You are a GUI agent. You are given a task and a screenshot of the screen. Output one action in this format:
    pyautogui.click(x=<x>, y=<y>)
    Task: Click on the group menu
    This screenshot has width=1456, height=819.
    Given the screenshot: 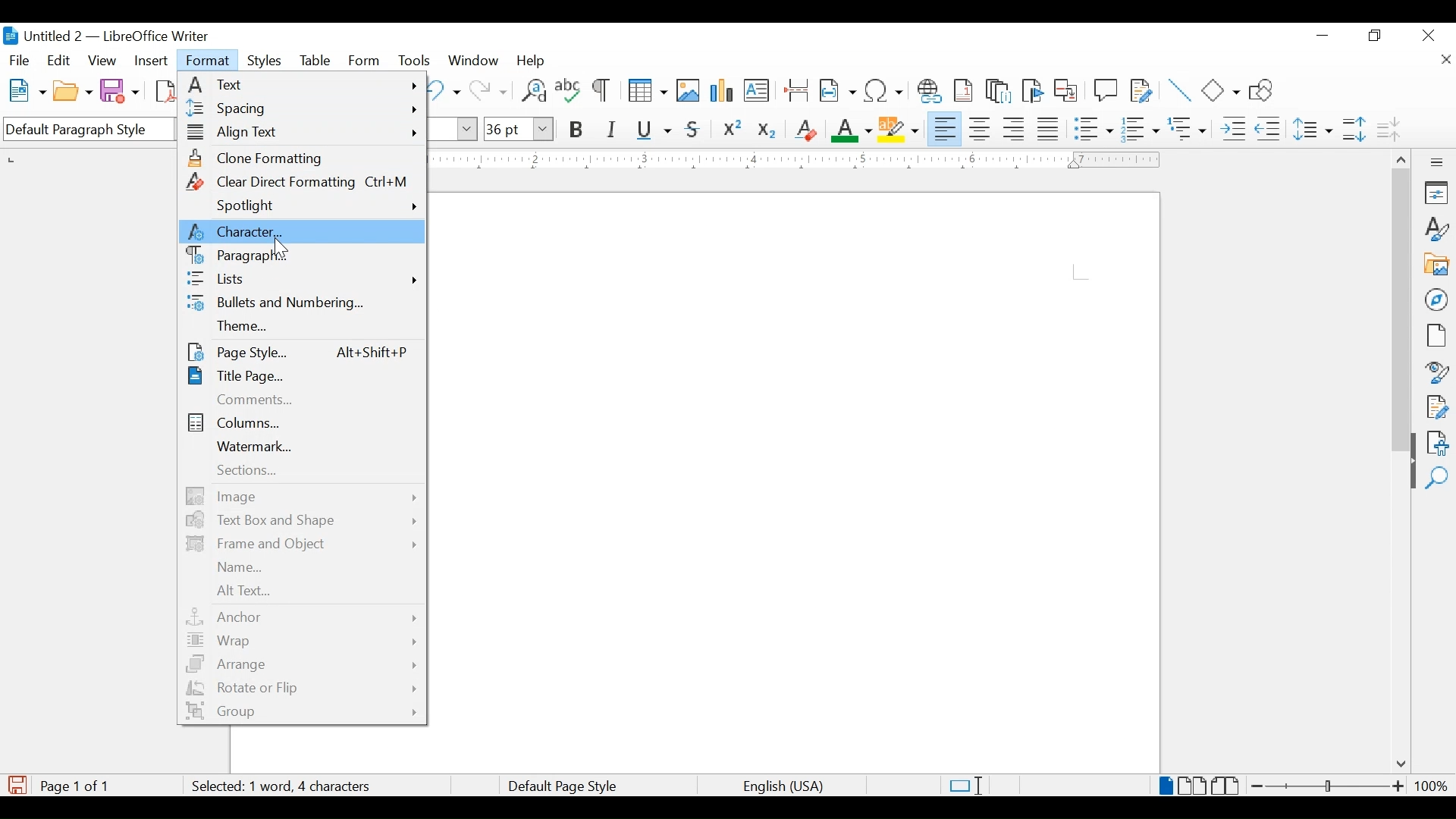 What is the action you would take?
    pyautogui.click(x=303, y=711)
    